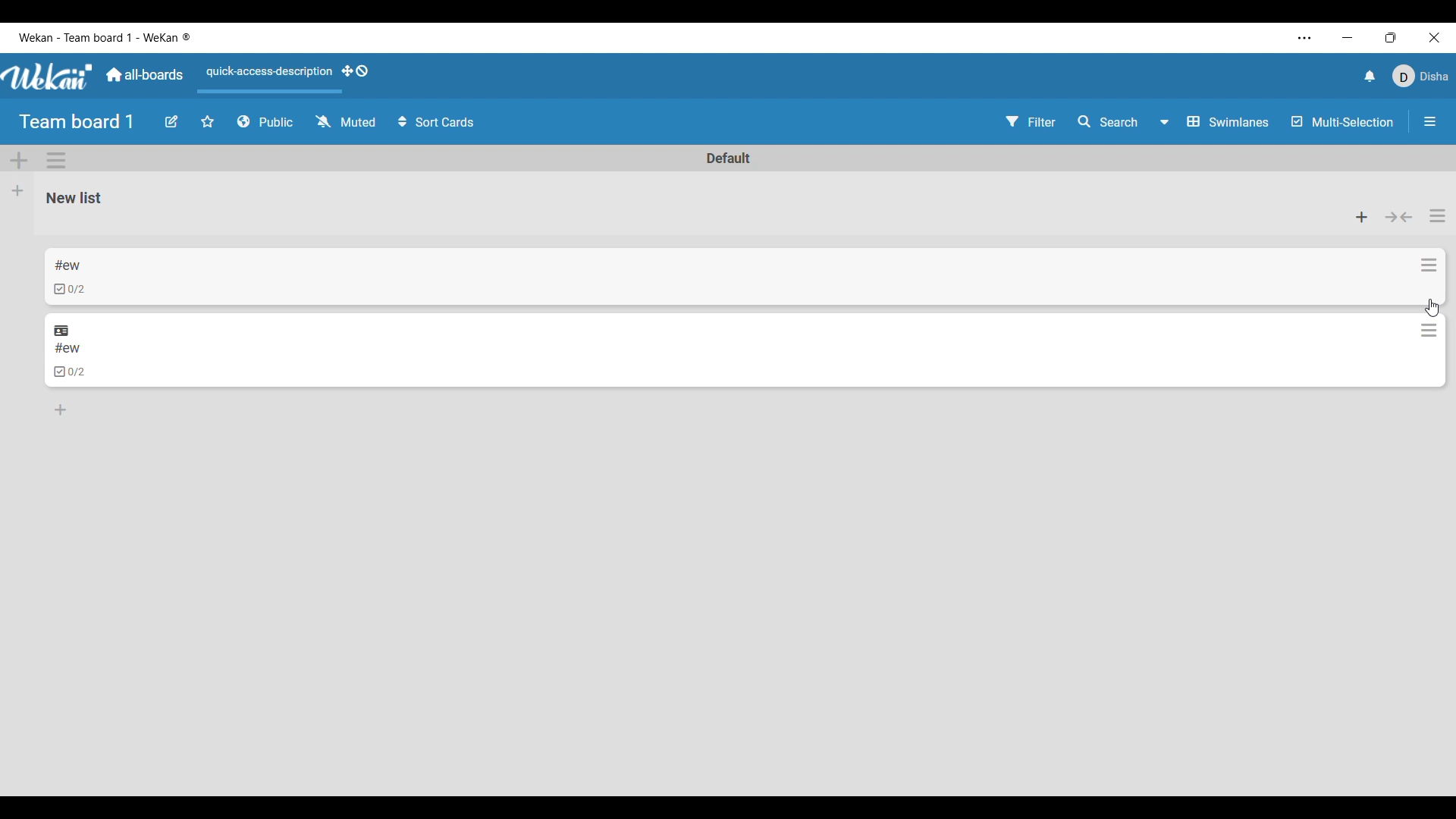  I want to click on Card actions, so click(1431, 329).